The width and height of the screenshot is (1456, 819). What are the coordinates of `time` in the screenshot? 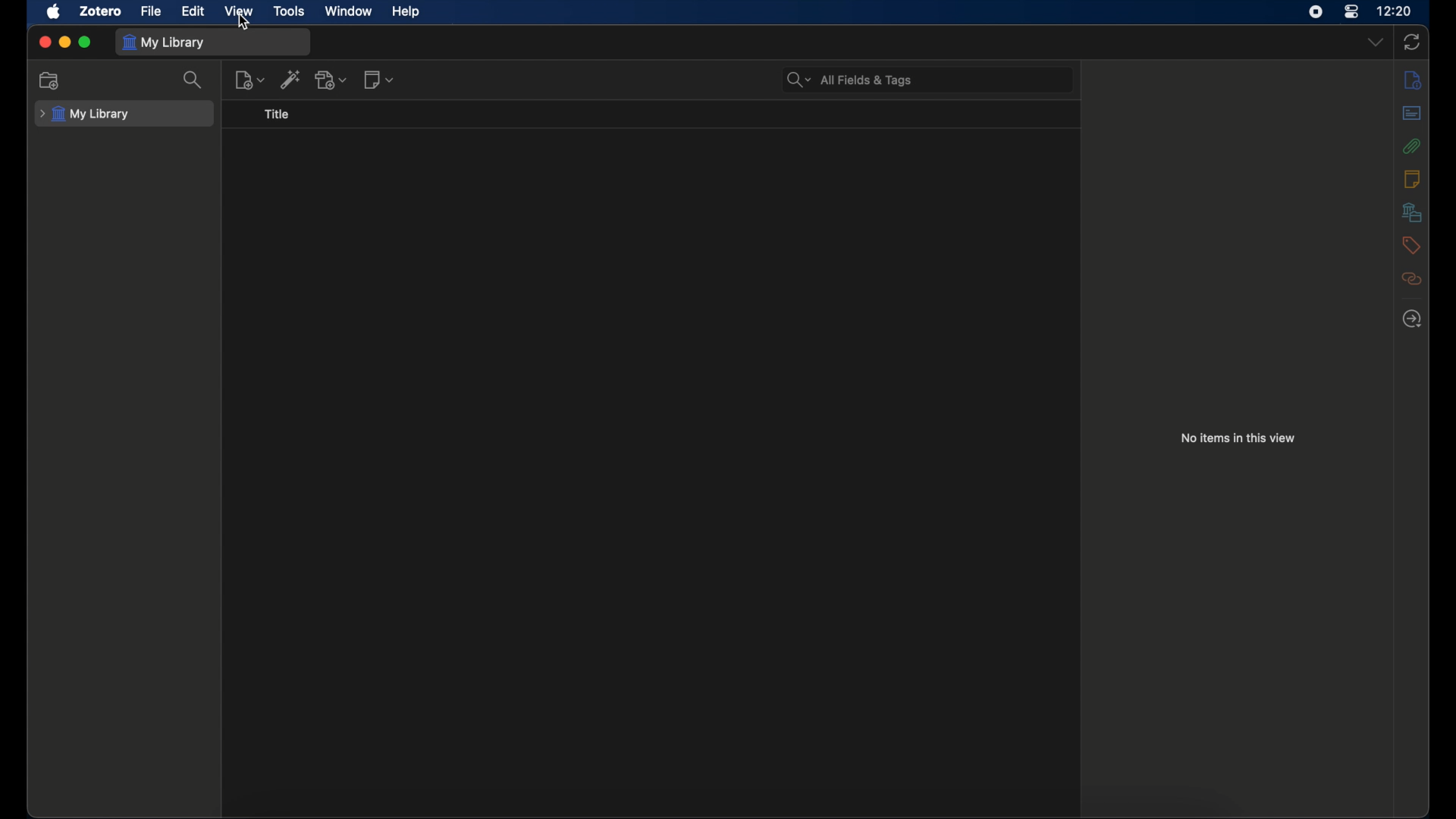 It's located at (1395, 11).